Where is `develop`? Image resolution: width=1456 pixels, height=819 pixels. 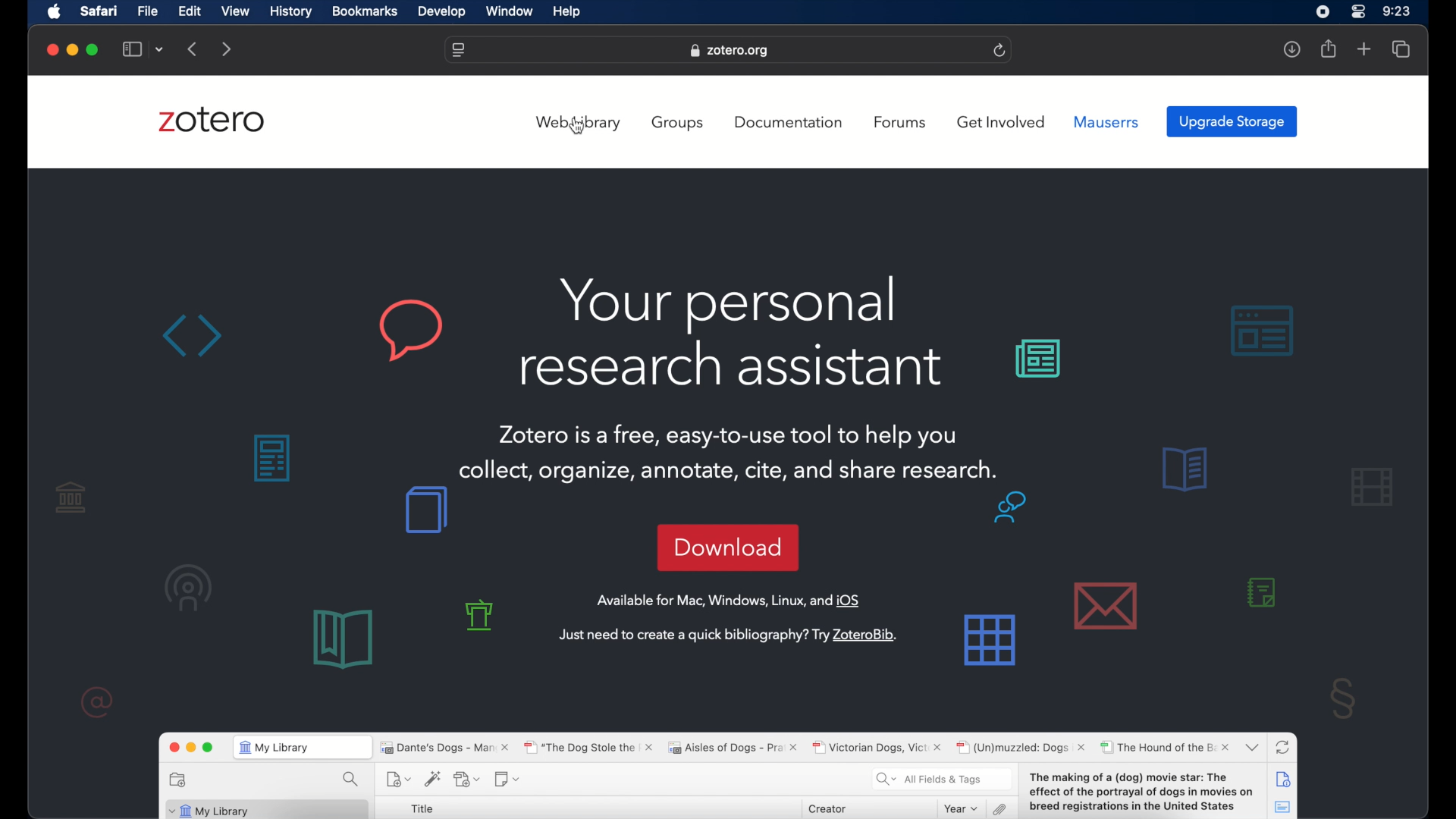
develop is located at coordinates (442, 12).